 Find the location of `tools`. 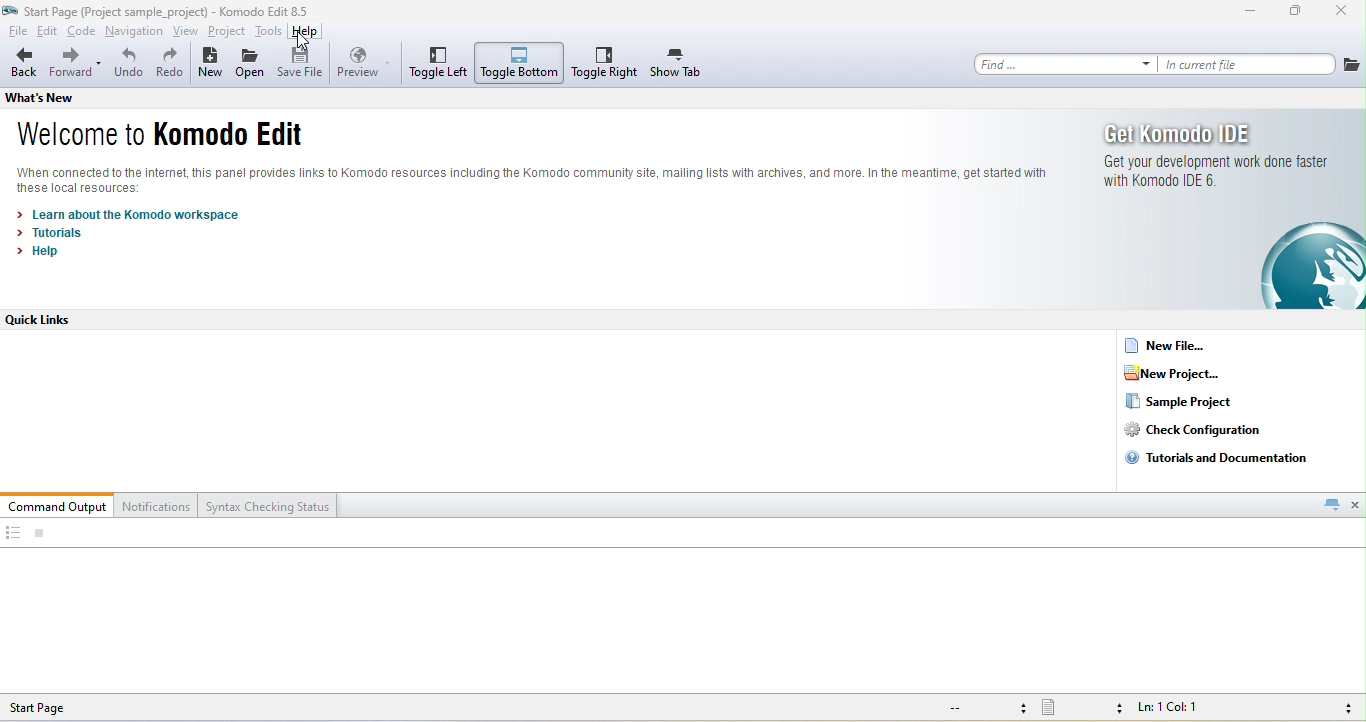

tools is located at coordinates (268, 31).